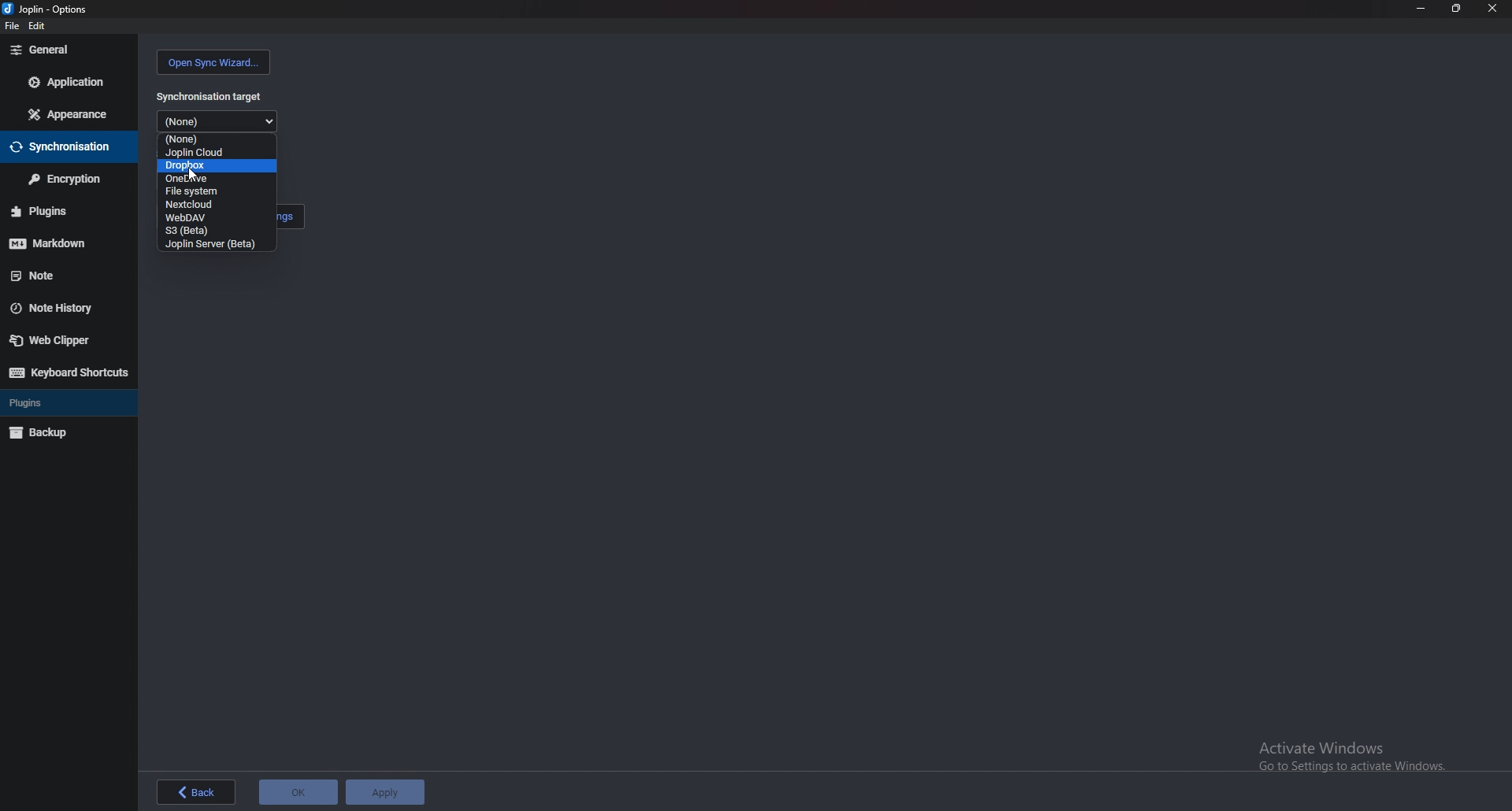 This screenshot has width=1512, height=811. I want to click on apply, so click(385, 792).